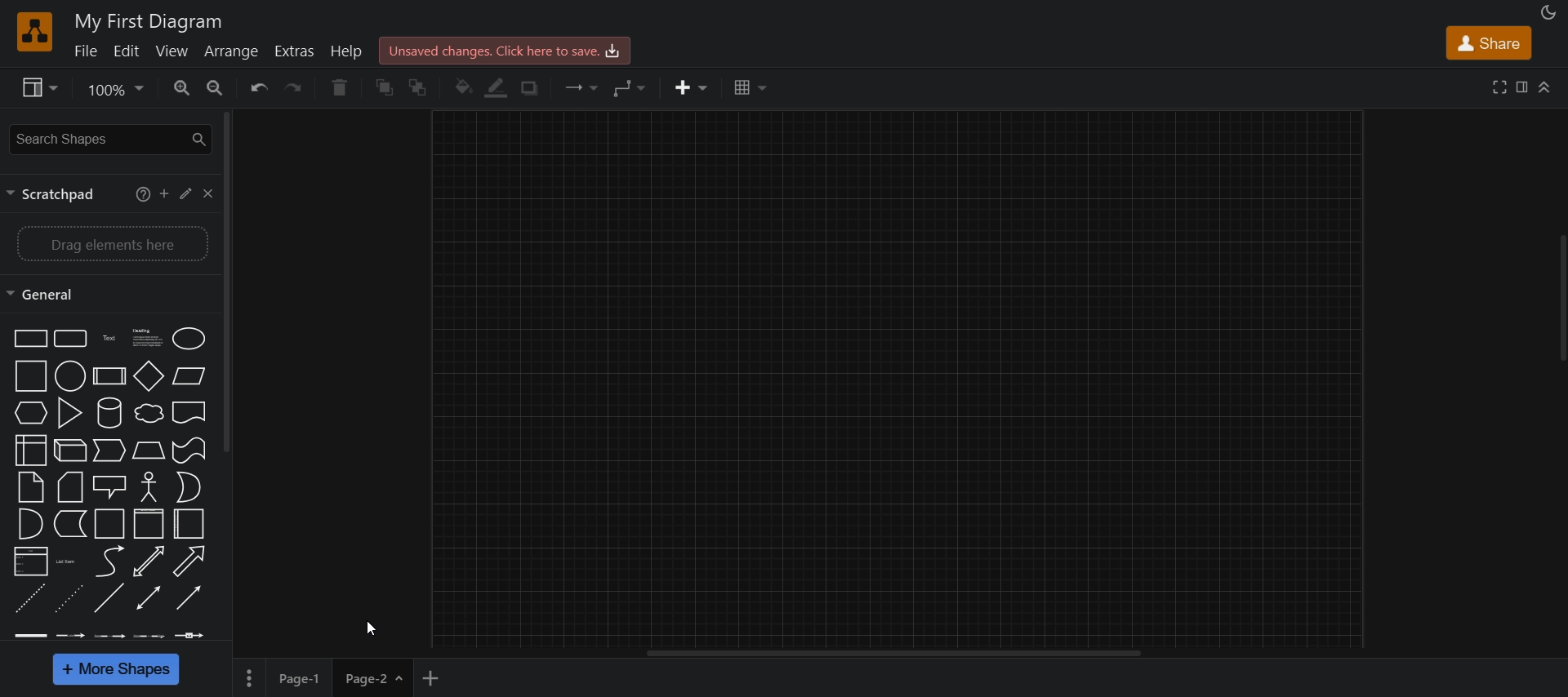 The height and width of the screenshot is (697, 1568). I want to click on horizontal scroll bar, so click(901, 653).